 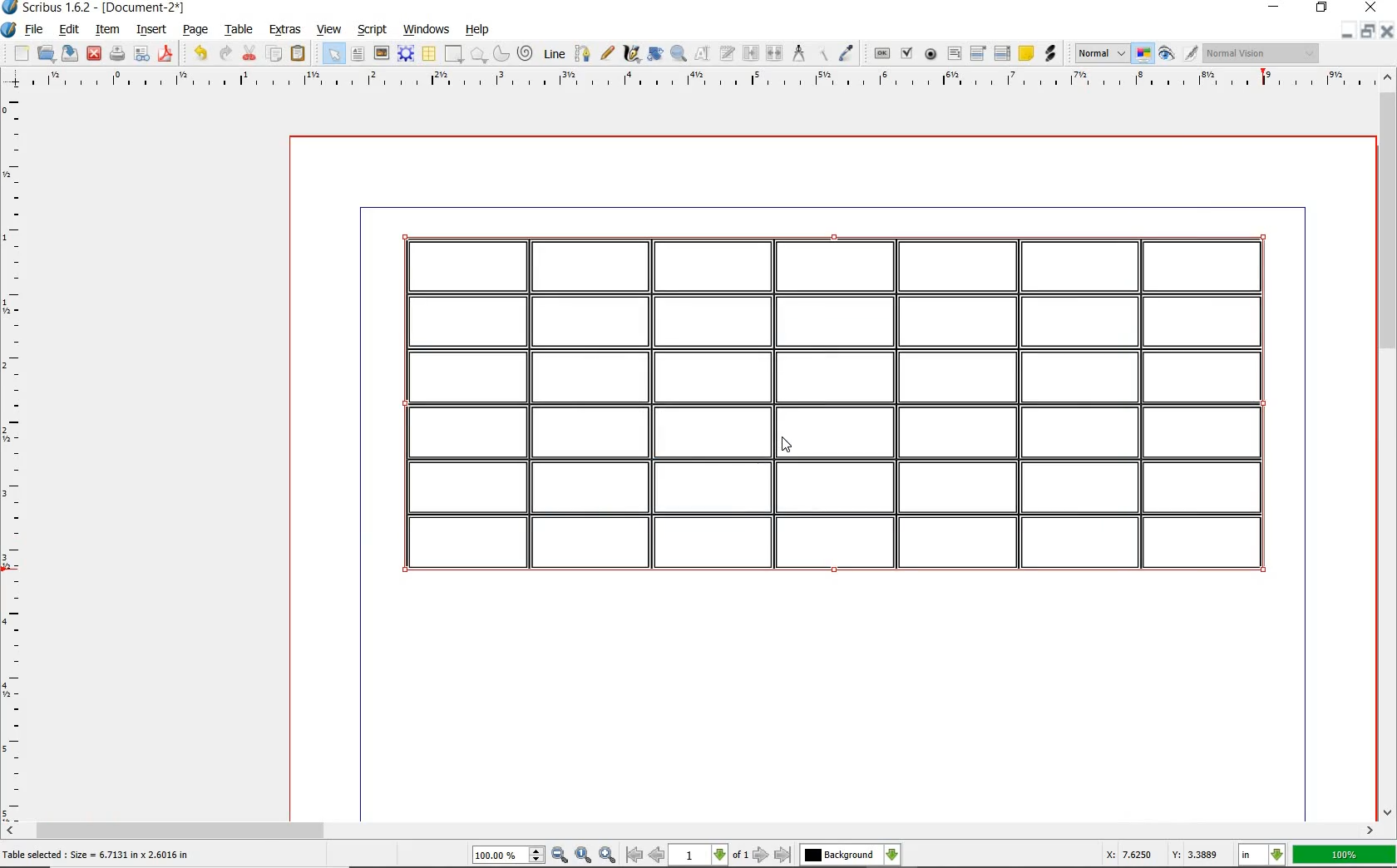 What do you see at coordinates (1385, 455) in the screenshot?
I see `scrollbar` at bounding box center [1385, 455].